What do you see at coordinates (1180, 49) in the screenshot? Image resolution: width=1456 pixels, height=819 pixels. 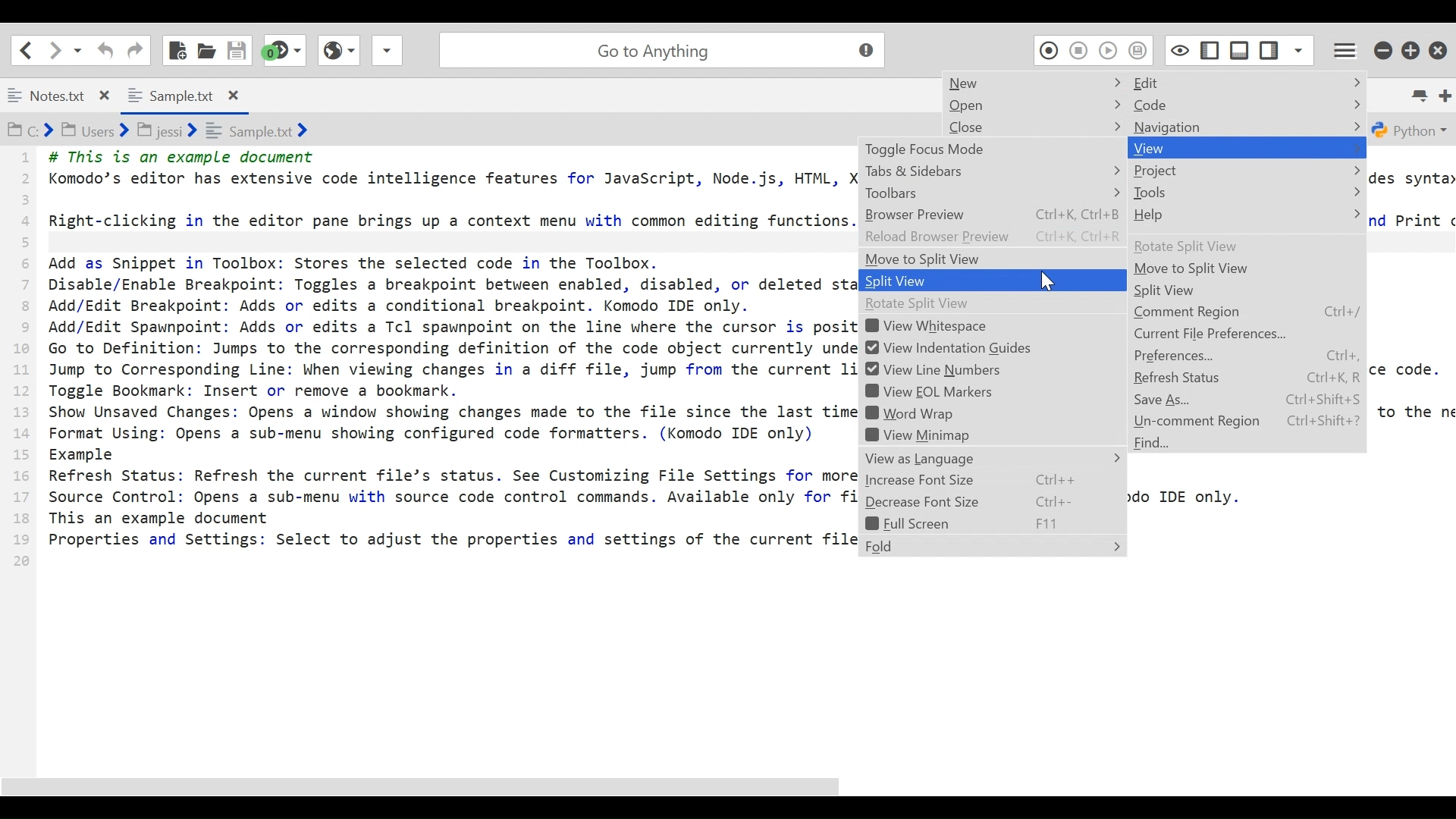 I see `Toggle focus mode` at bounding box center [1180, 49].